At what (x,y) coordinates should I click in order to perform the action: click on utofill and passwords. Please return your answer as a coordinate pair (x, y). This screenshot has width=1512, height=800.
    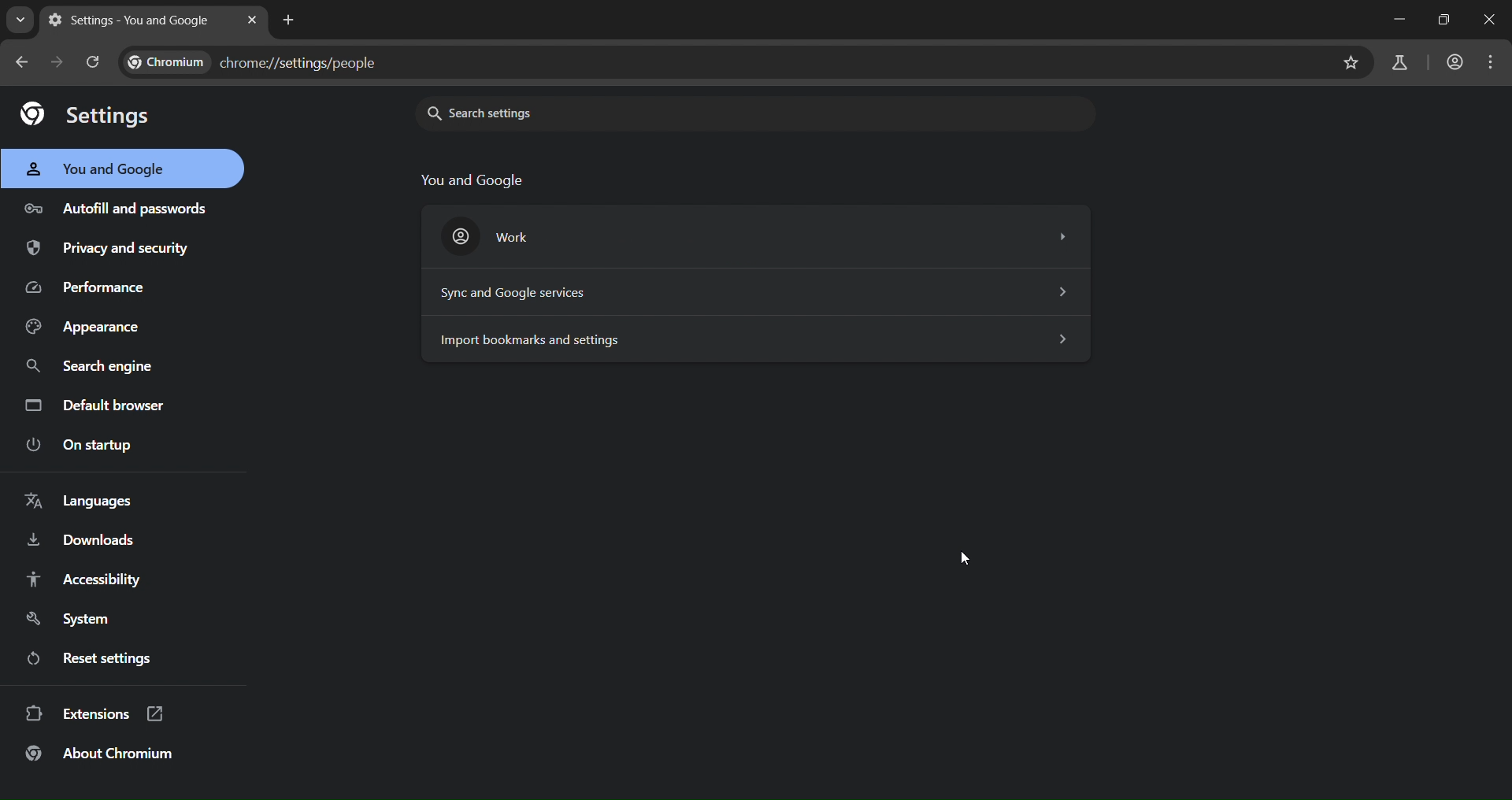
    Looking at the image, I should click on (117, 203).